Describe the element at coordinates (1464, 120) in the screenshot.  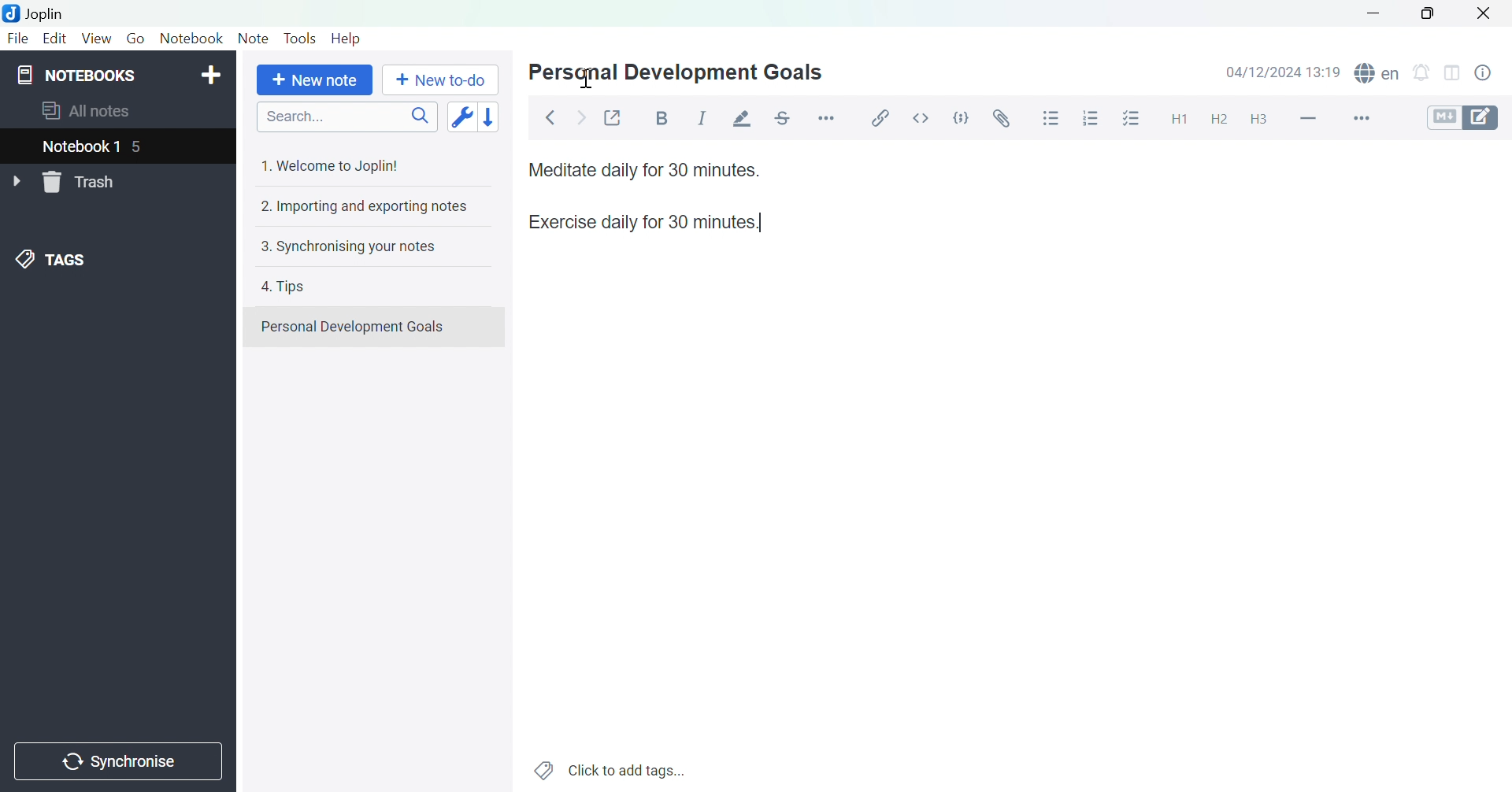
I see `Toggle editors` at that location.